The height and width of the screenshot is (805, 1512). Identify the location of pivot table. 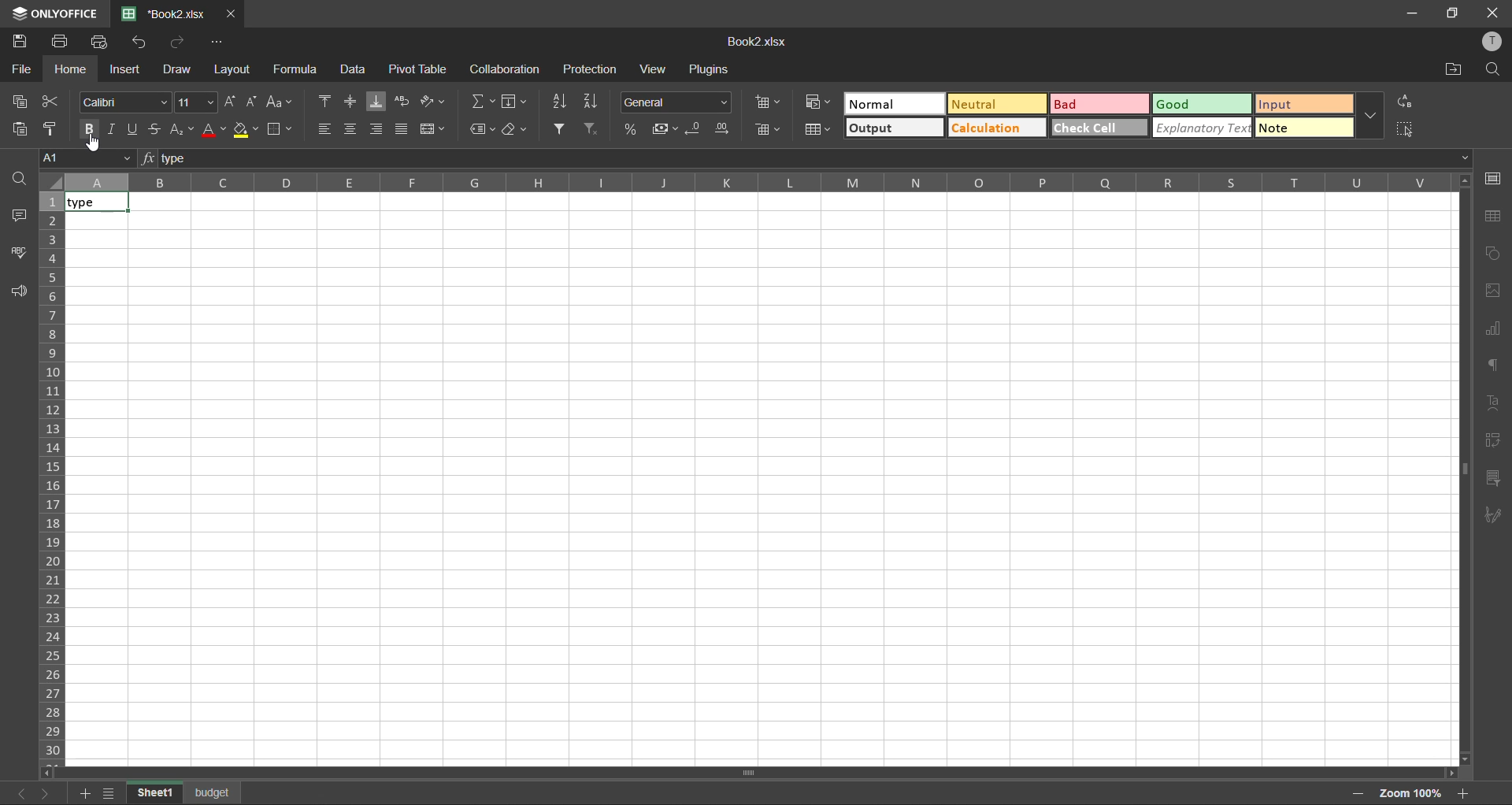
(1494, 443).